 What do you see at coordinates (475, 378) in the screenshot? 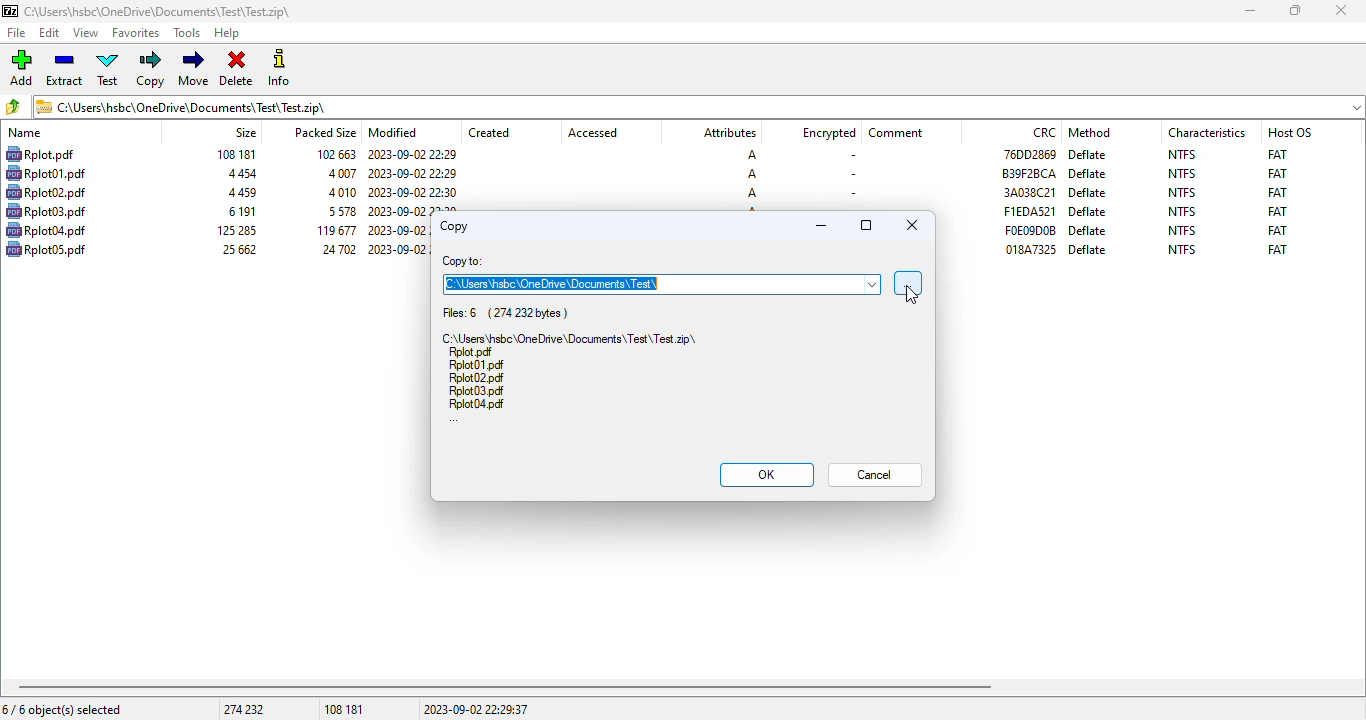
I see `file` at bounding box center [475, 378].